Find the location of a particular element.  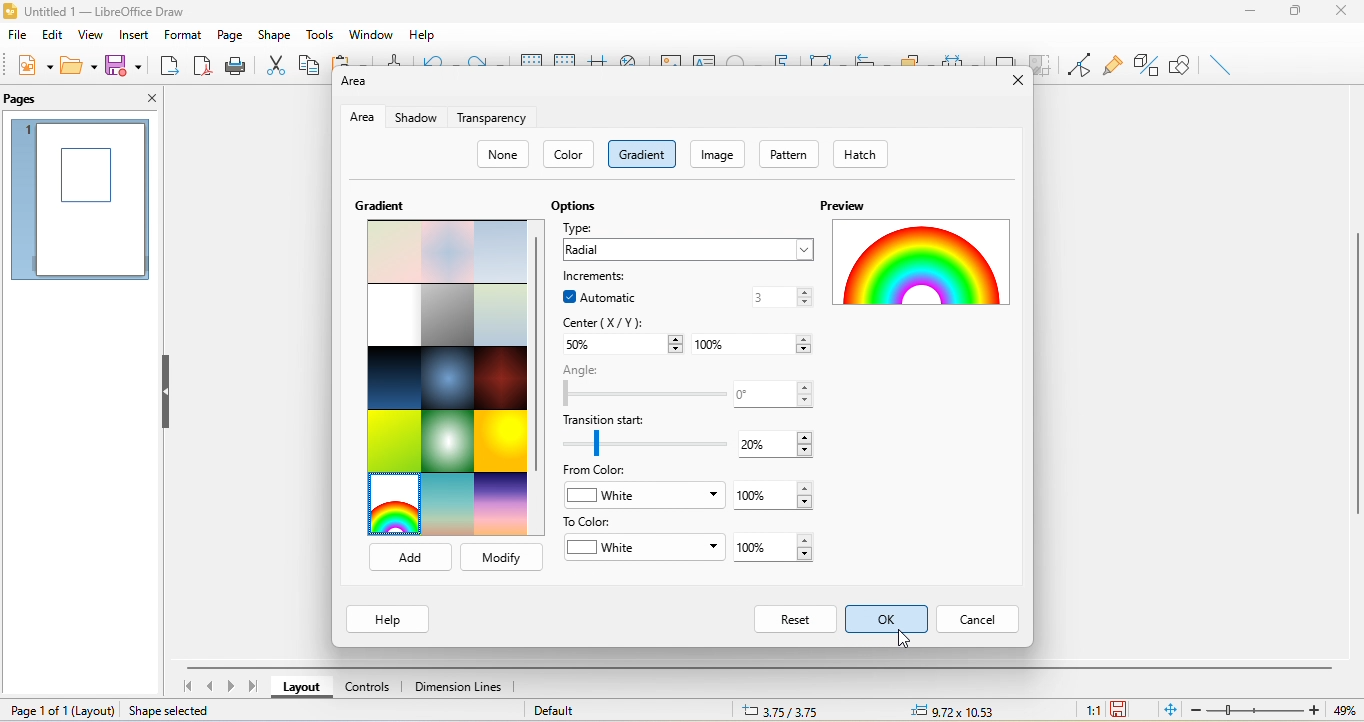

cancel is located at coordinates (983, 619).